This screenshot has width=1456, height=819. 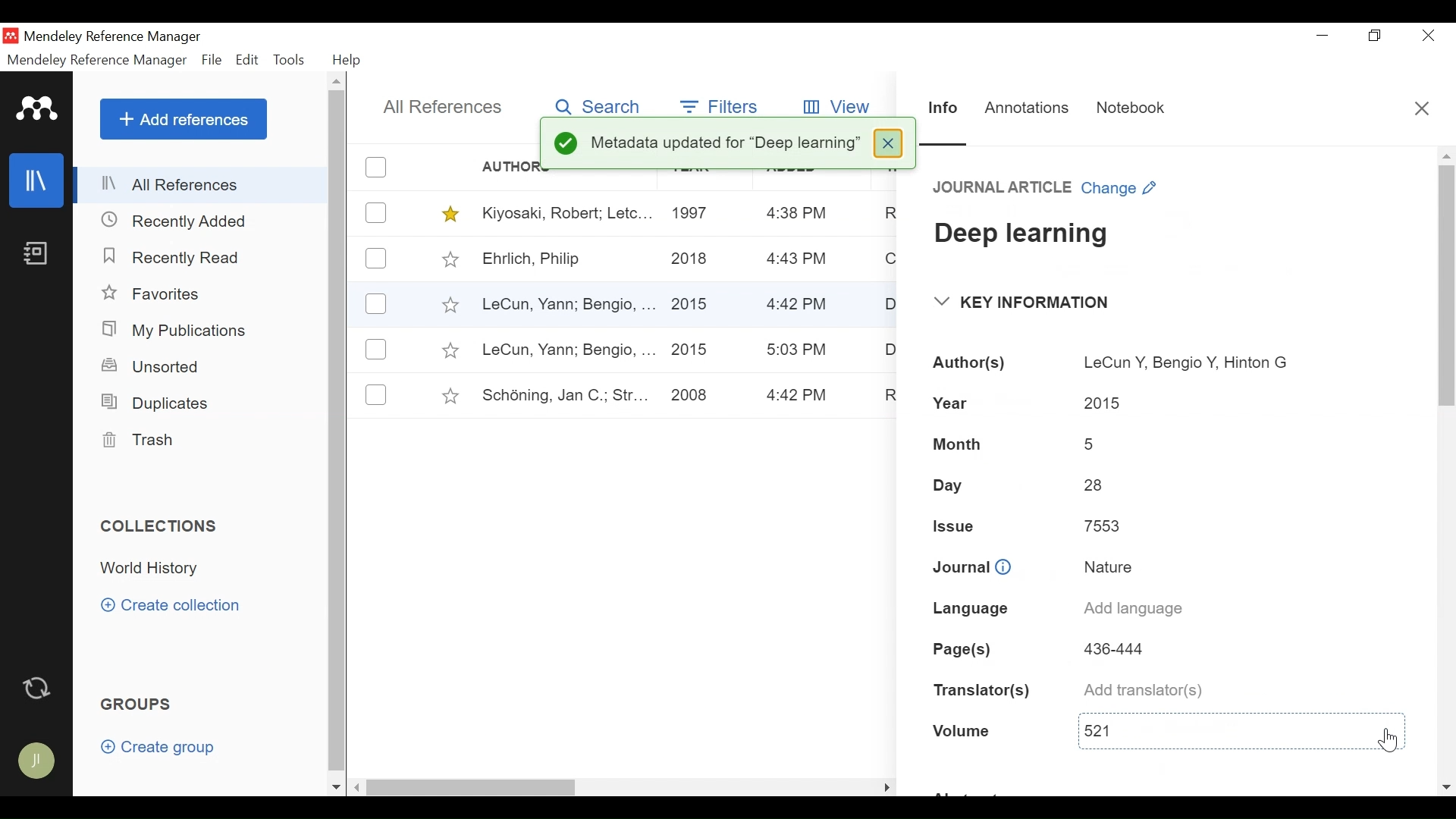 What do you see at coordinates (968, 607) in the screenshot?
I see `Language` at bounding box center [968, 607].